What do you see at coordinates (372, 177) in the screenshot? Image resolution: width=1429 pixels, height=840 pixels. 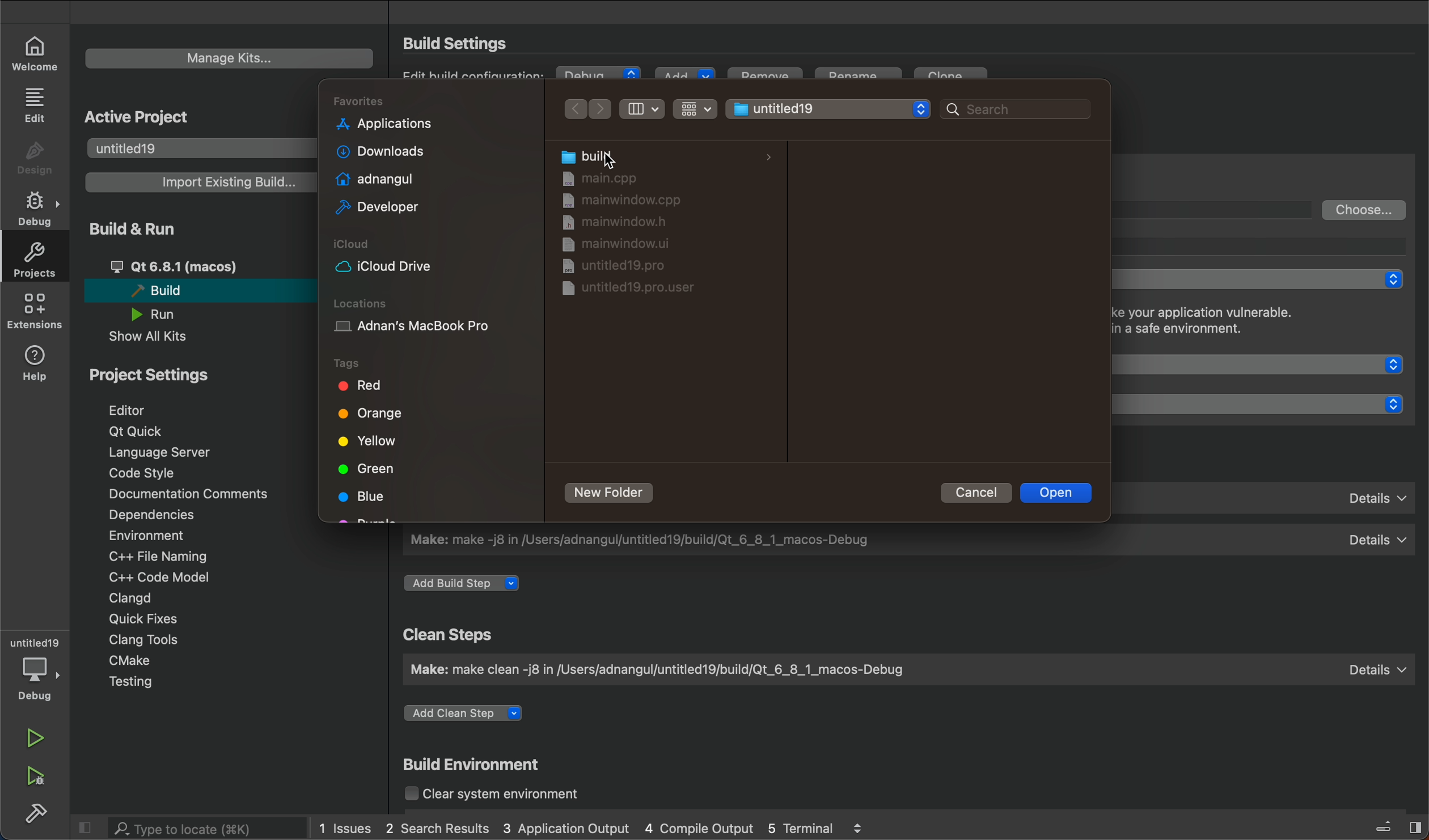 I see `adnan gul` at bounding box center [372, 177].